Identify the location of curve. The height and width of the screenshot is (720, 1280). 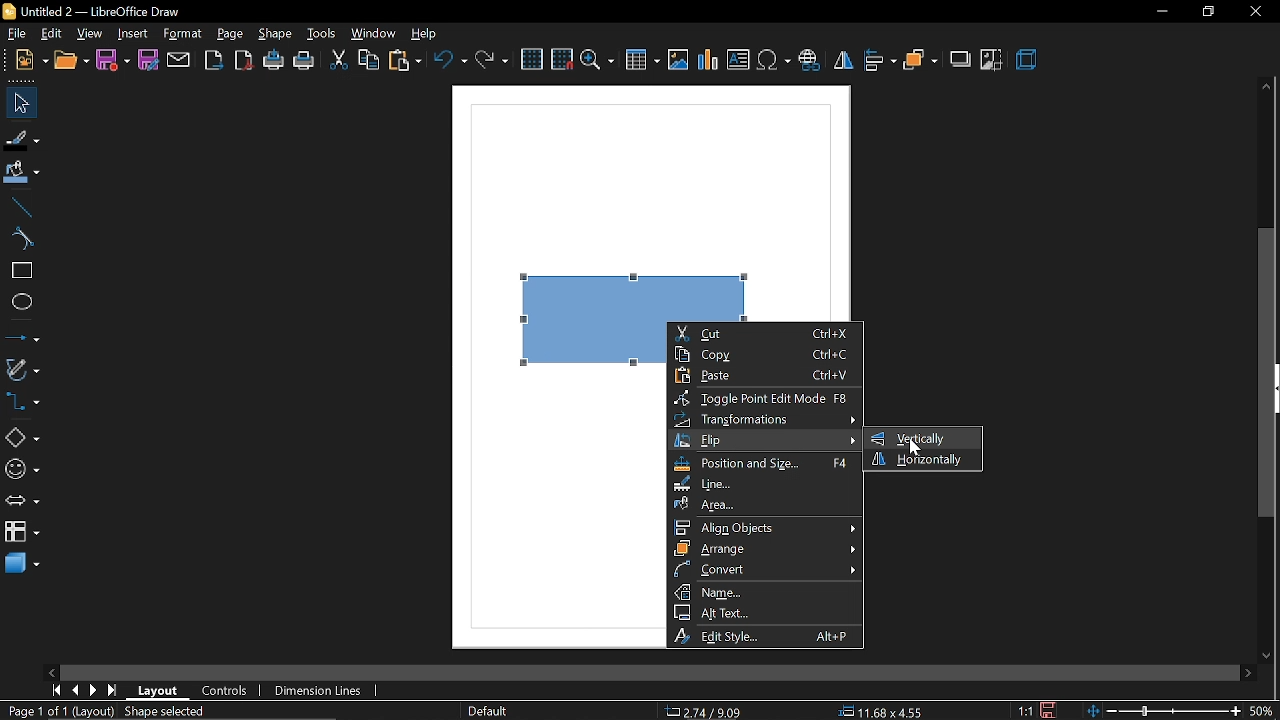
(20, 238).